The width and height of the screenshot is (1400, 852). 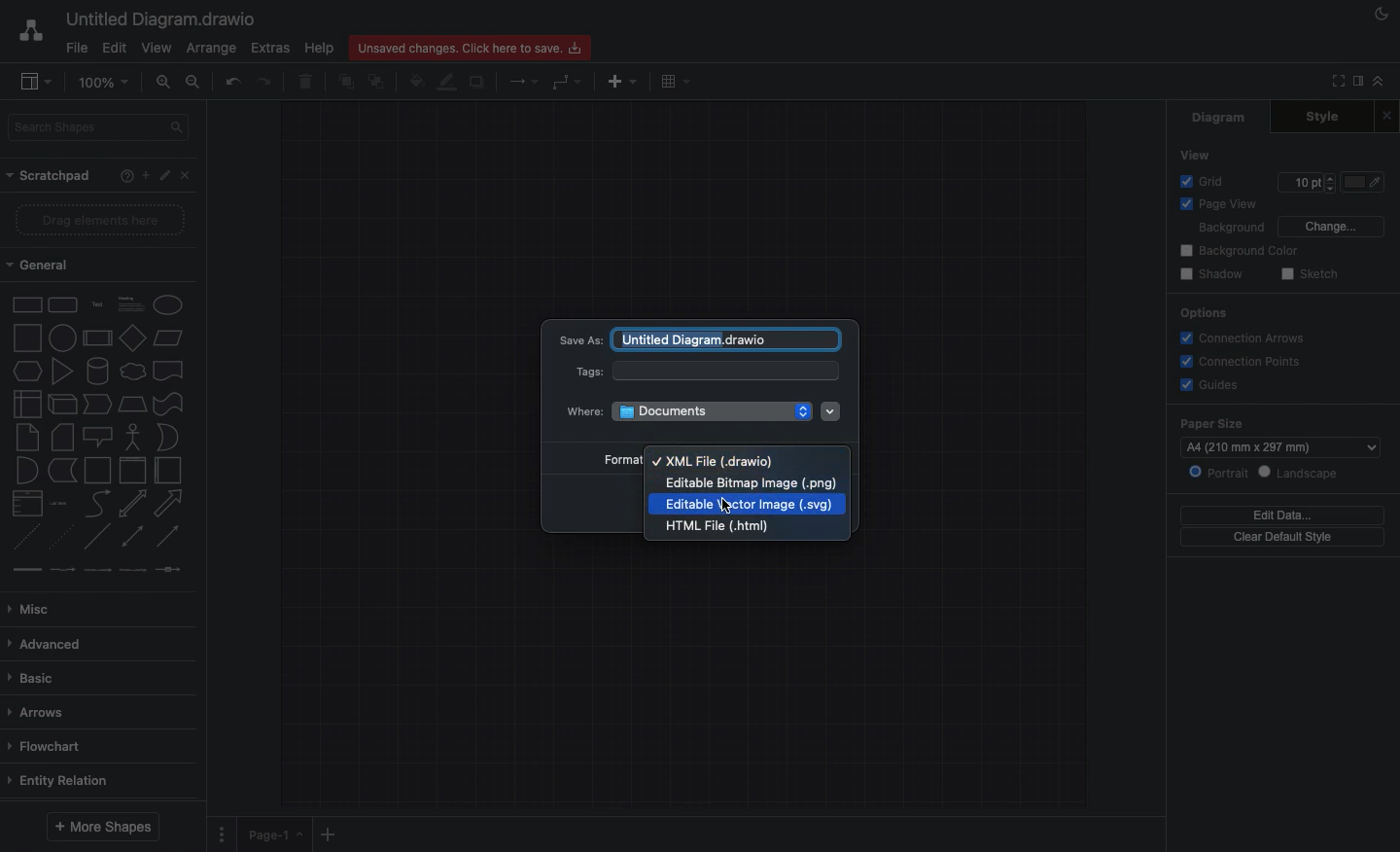 What do you see at coordinates (36, 713) in the screenshot?
I see `Arrows` at bounding box center [36, 713].